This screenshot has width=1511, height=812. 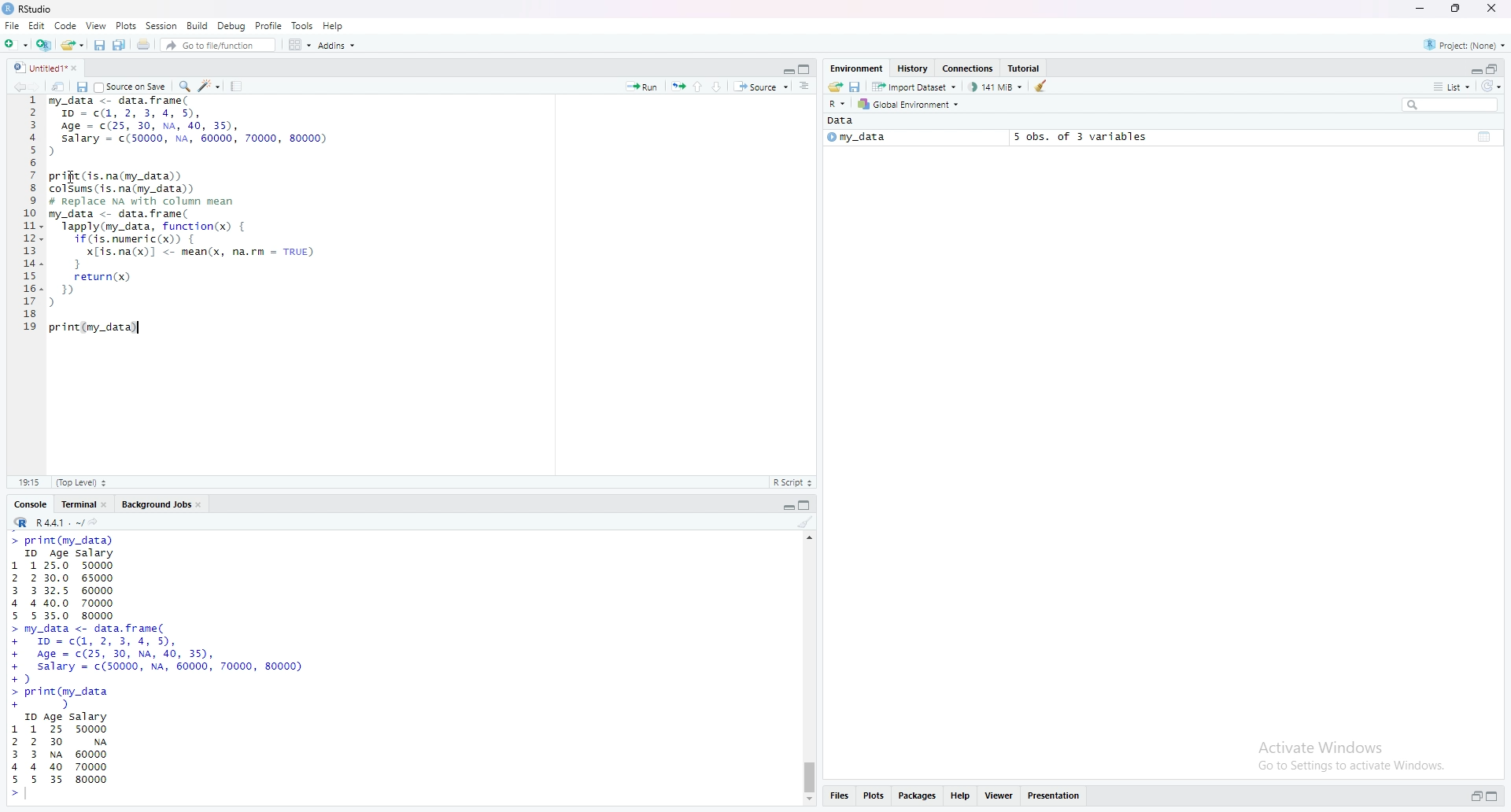 What do you see at coordinates (131, 87) in the screenshot?
I see `source on save` at bounding box center [131, 87].